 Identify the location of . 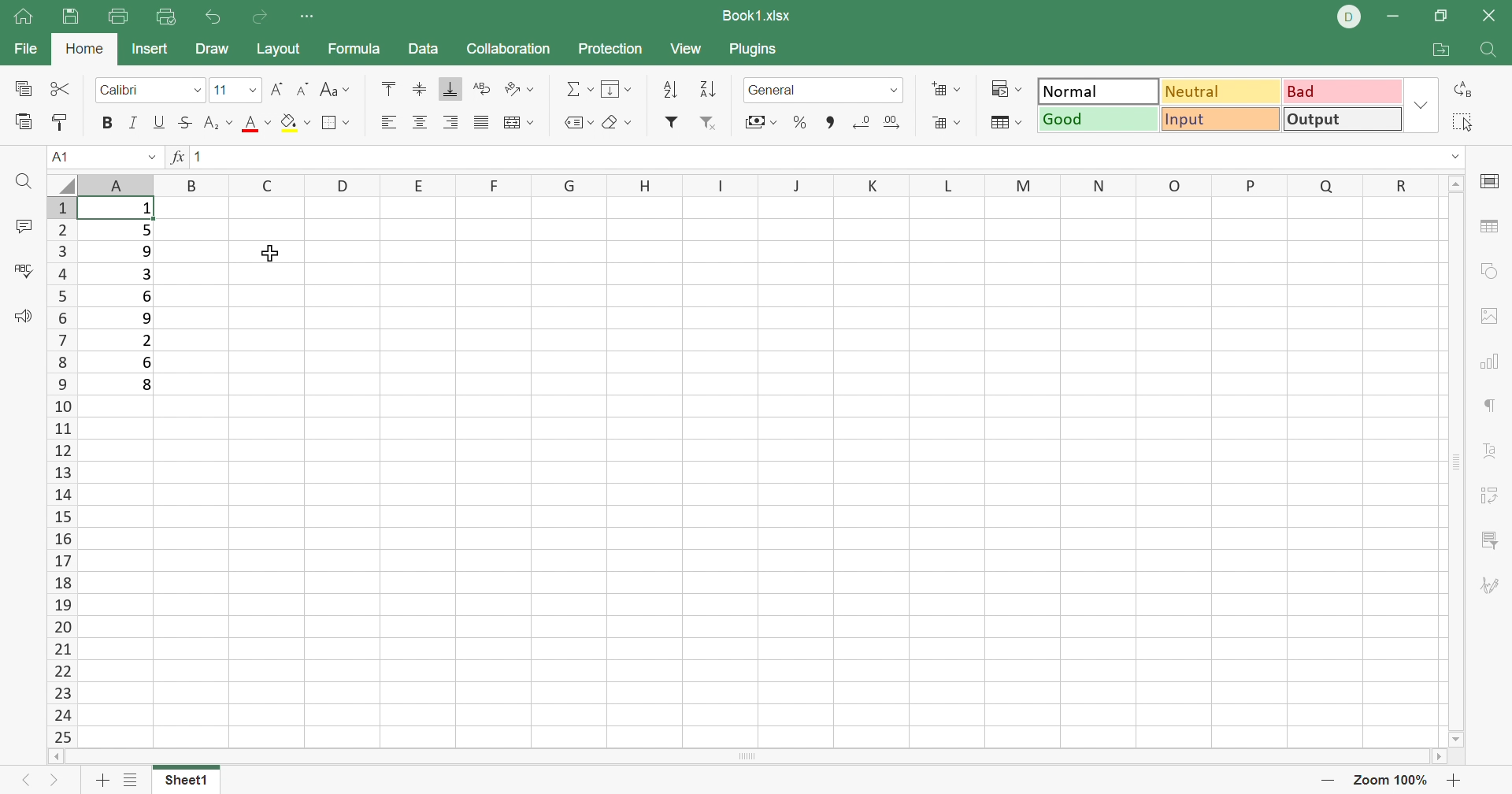
(146, 232).